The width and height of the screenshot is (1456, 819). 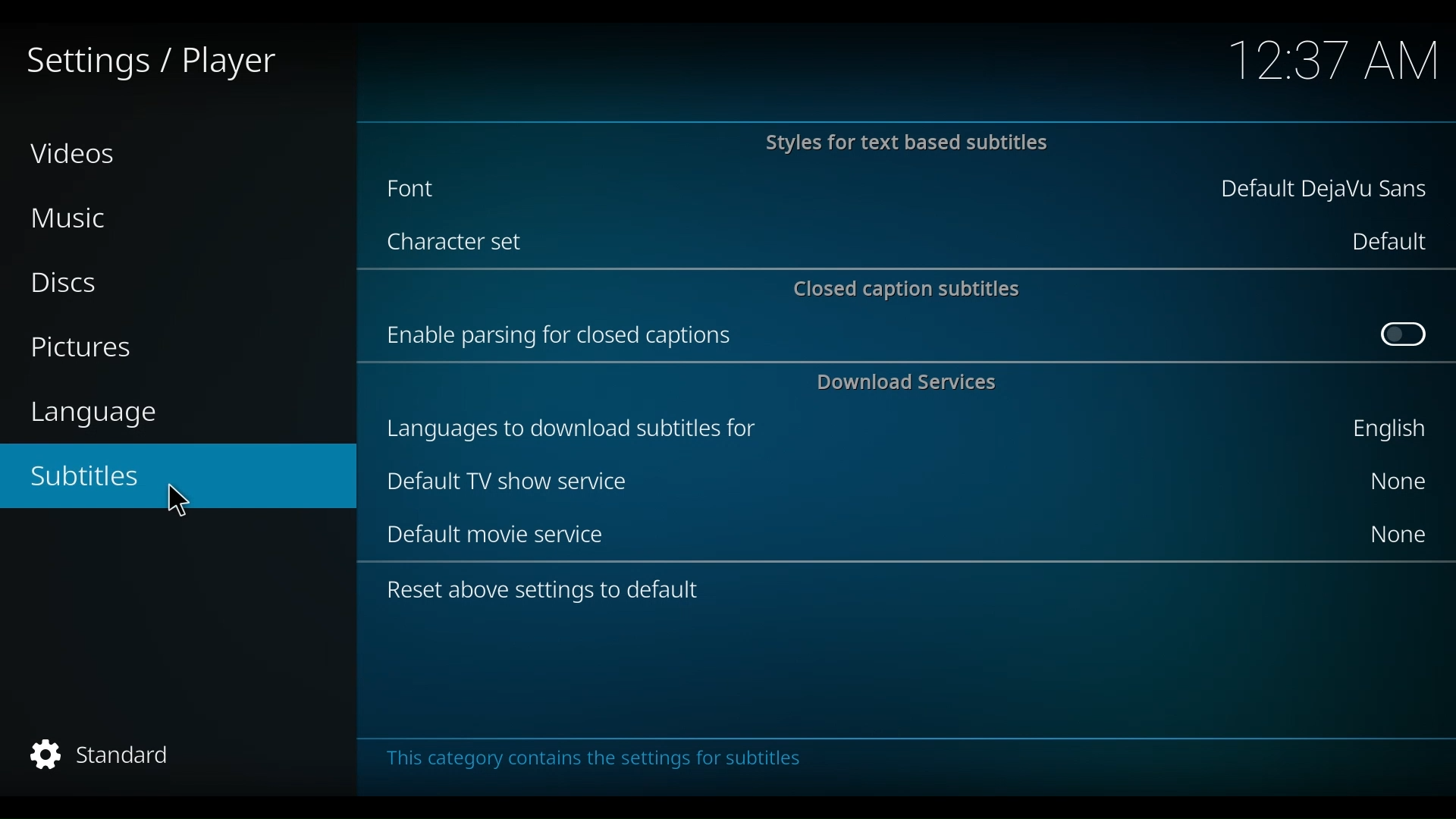 I want to click on languages to download subtitles for, so click(x=579, y=425).